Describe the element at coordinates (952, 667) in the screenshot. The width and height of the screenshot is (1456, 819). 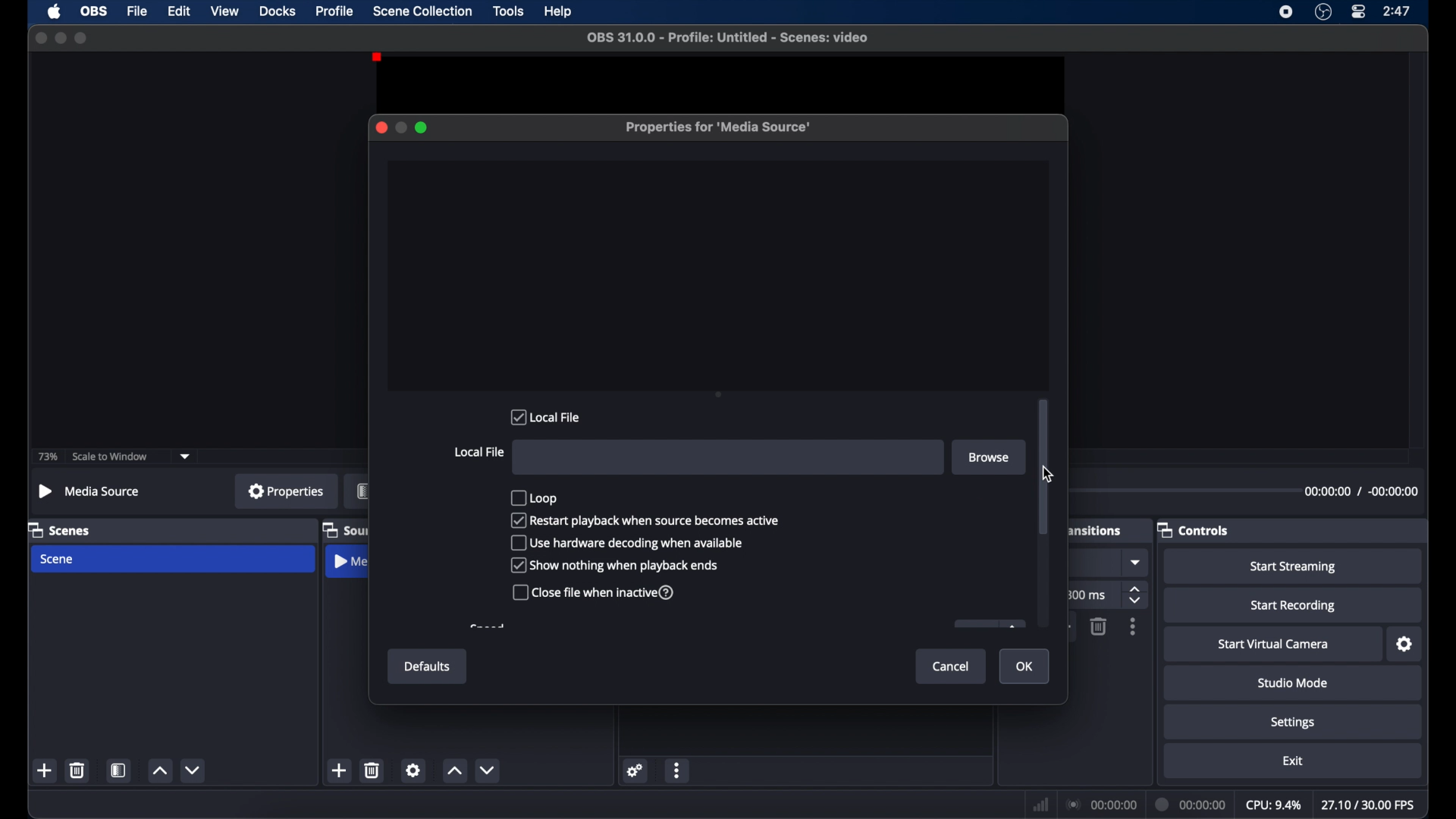
I see `cancel` at that location.